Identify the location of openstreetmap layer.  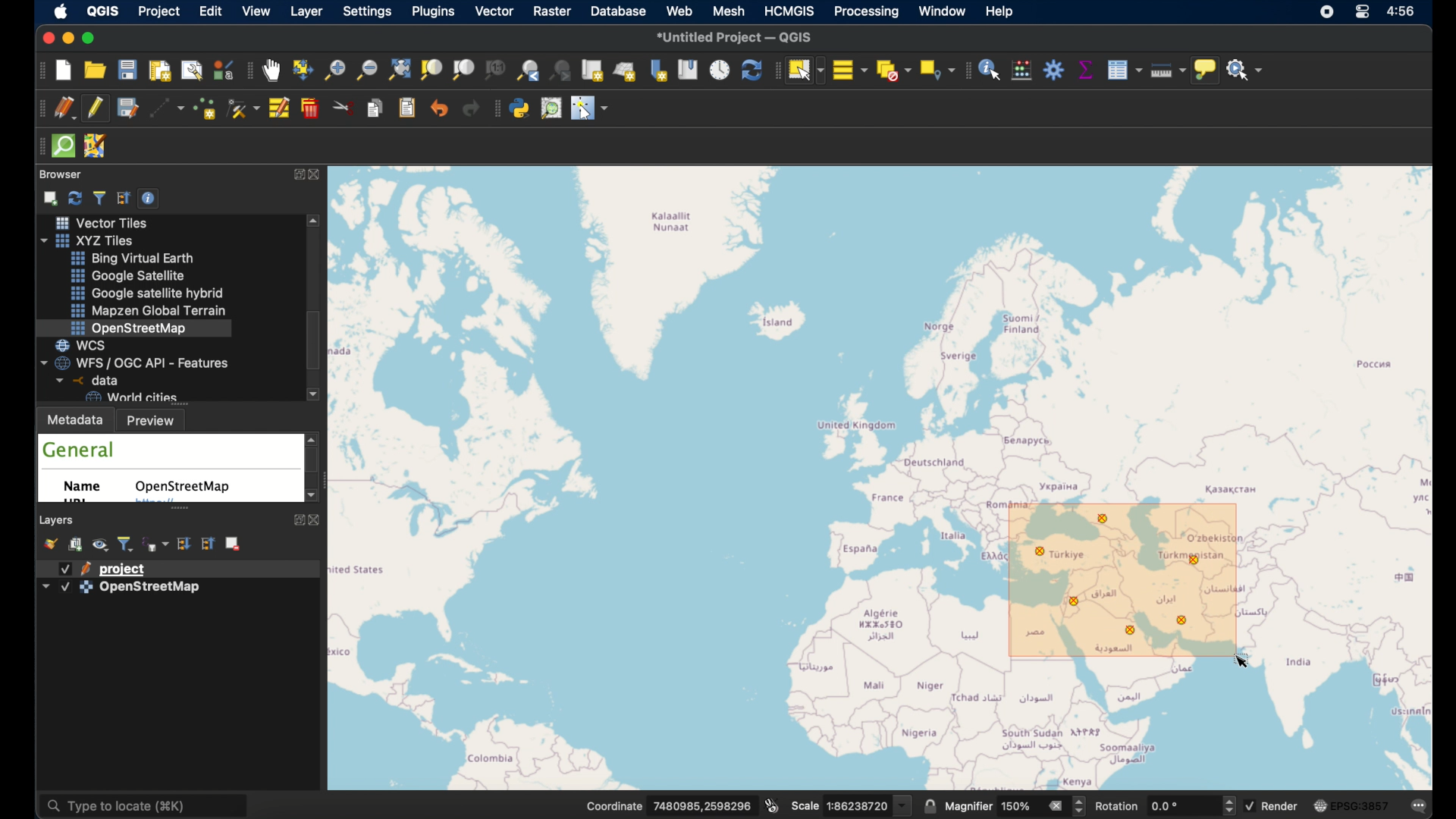
(151, 590).